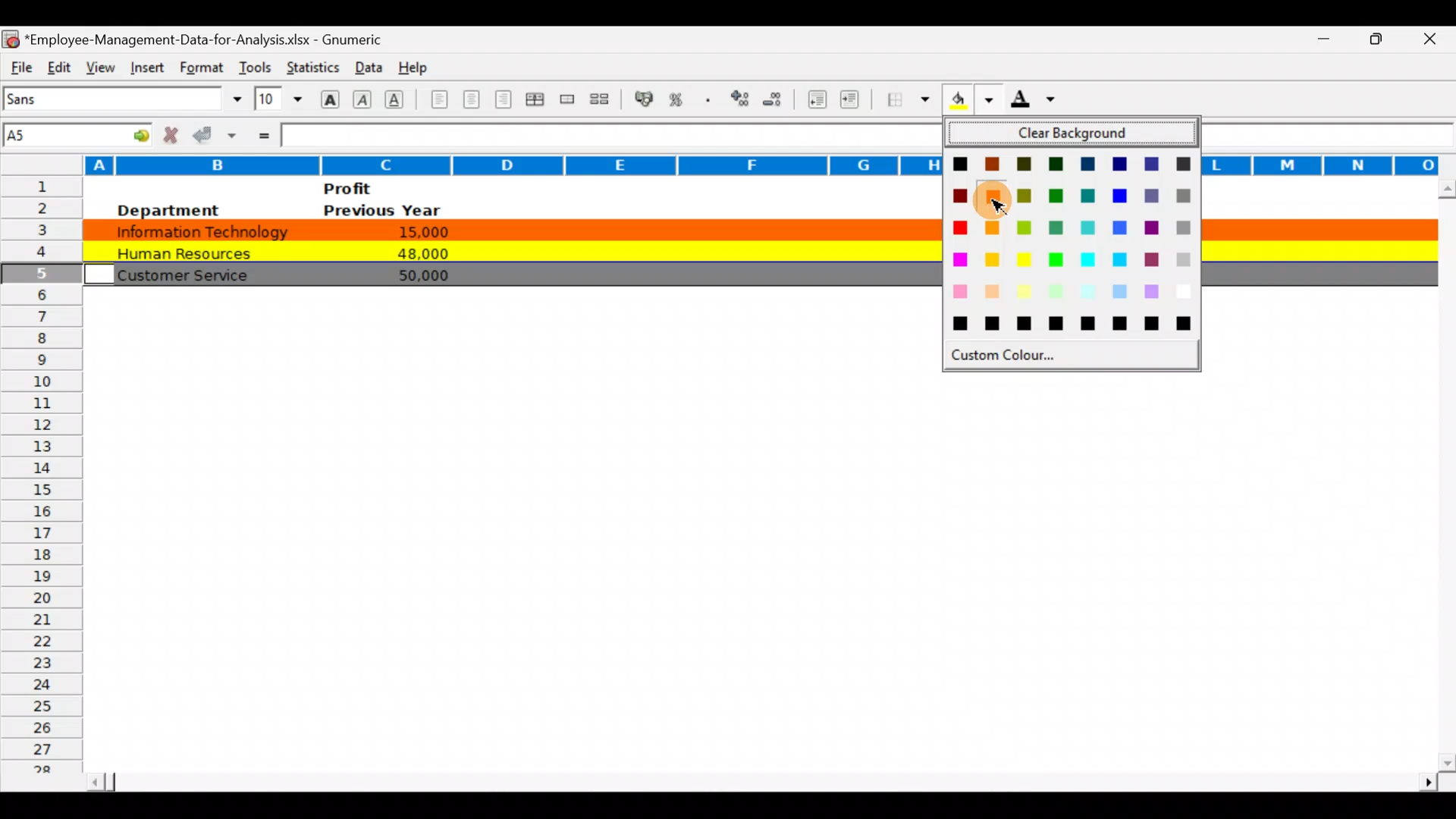  Describe the element at coordinates (779, 99) in the screenshot. I see `Decrease decimals` at that location.